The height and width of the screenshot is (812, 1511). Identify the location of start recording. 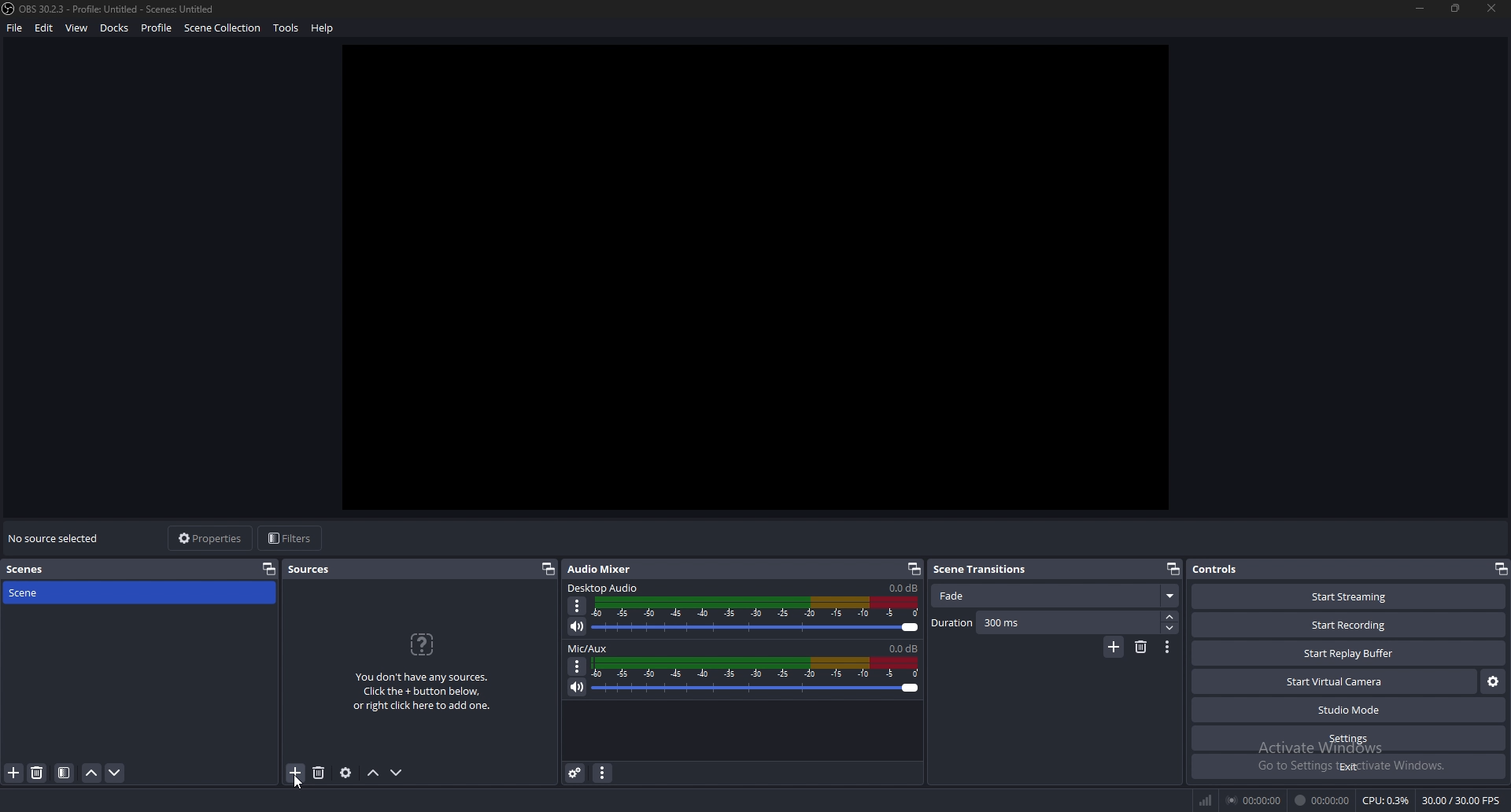
(1351, 624).